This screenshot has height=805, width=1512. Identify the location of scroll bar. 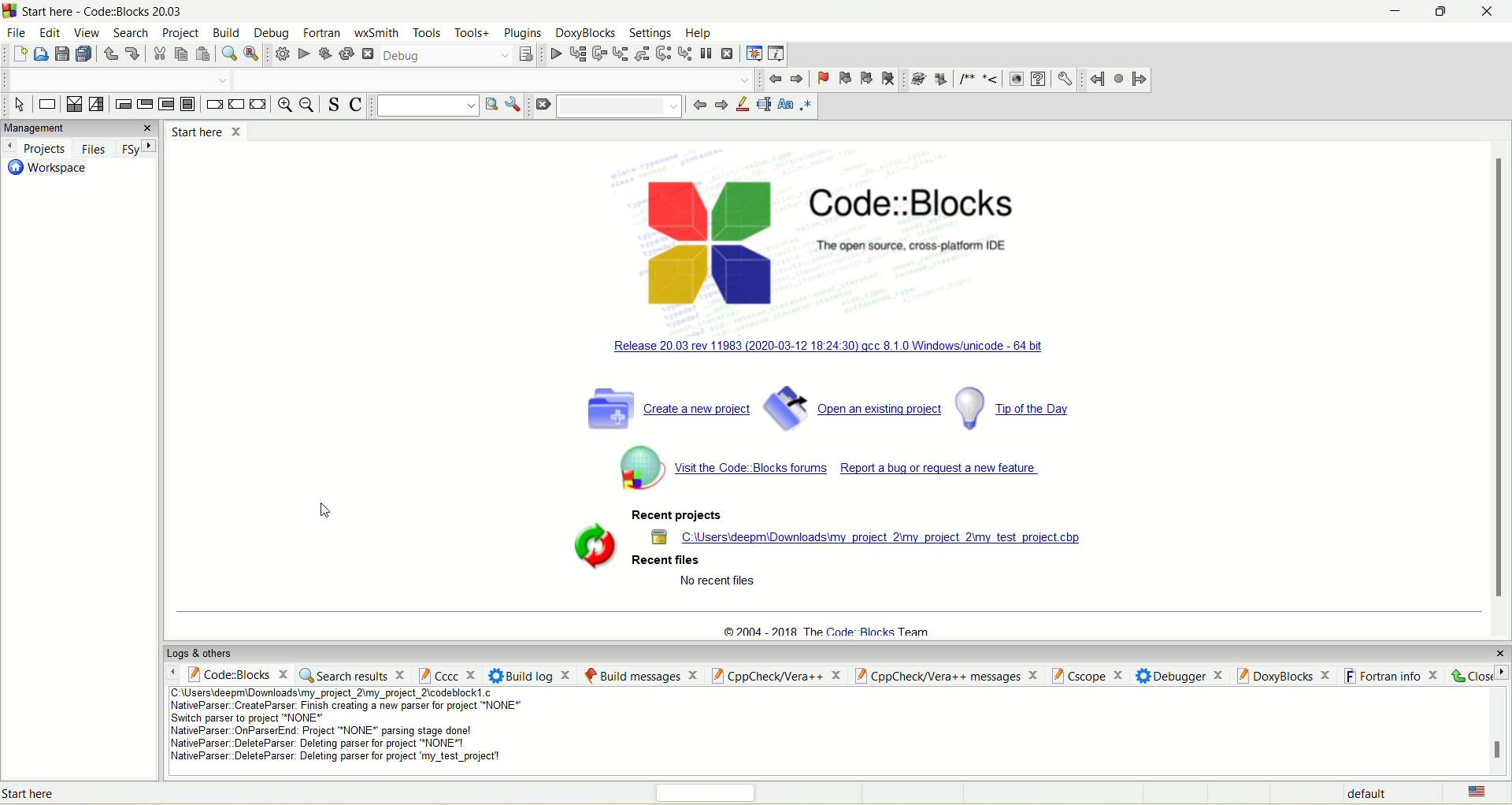
(1502, 726).